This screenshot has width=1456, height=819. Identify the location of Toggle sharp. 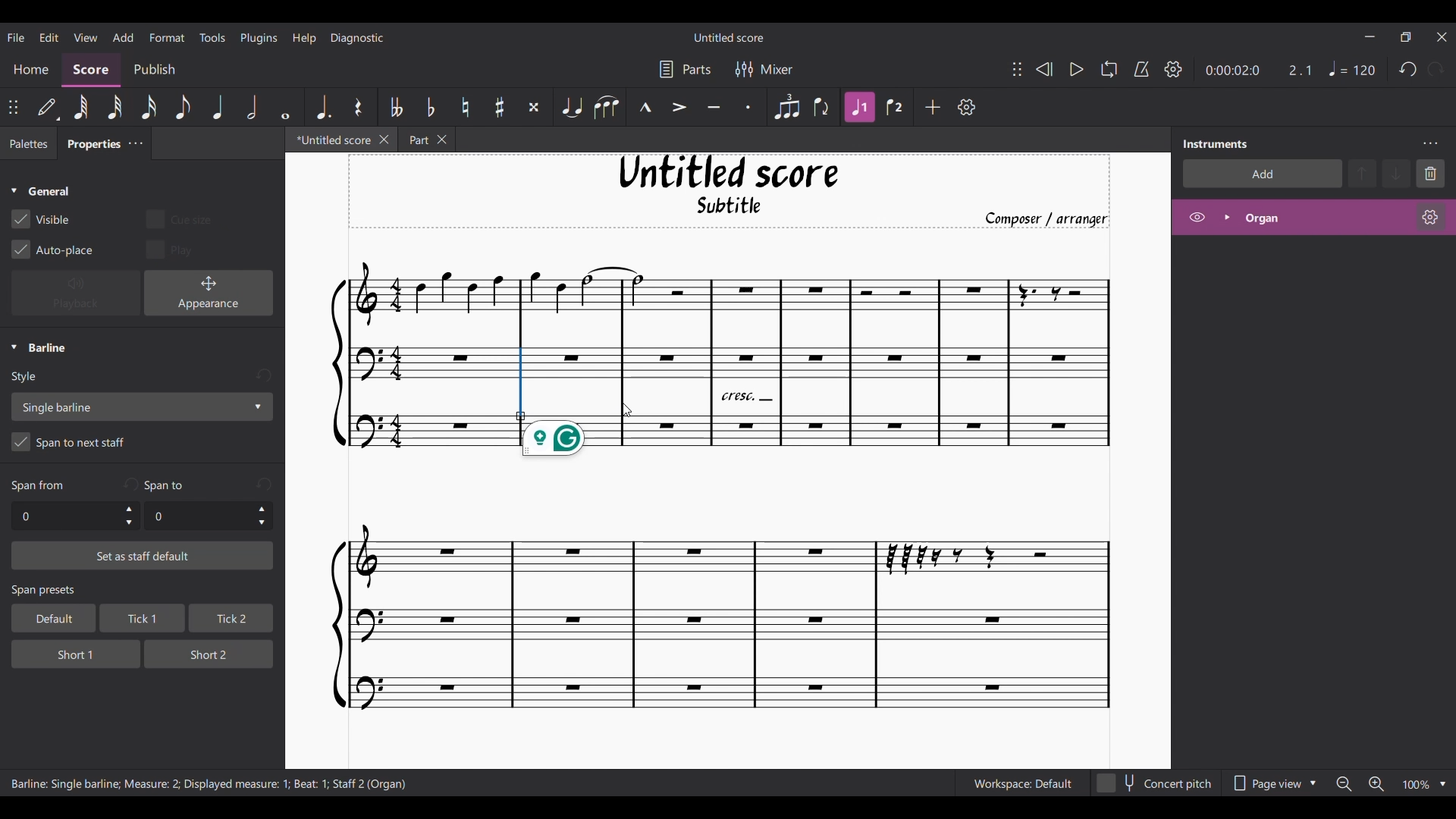
(500, 108).